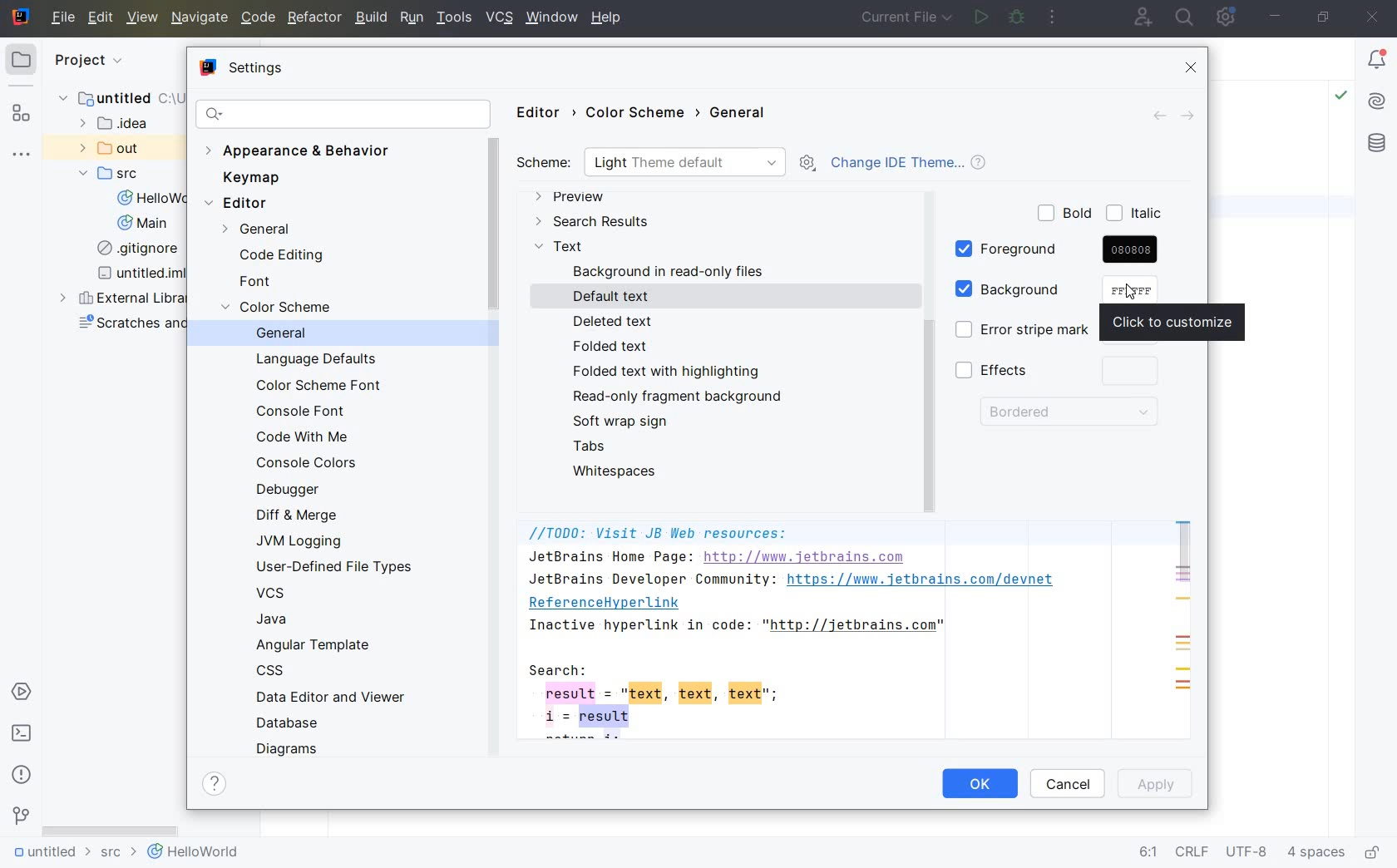 This screenshot has width=1397, height=868. I want to click on CONSOLE COLORS, so click(310, 464).